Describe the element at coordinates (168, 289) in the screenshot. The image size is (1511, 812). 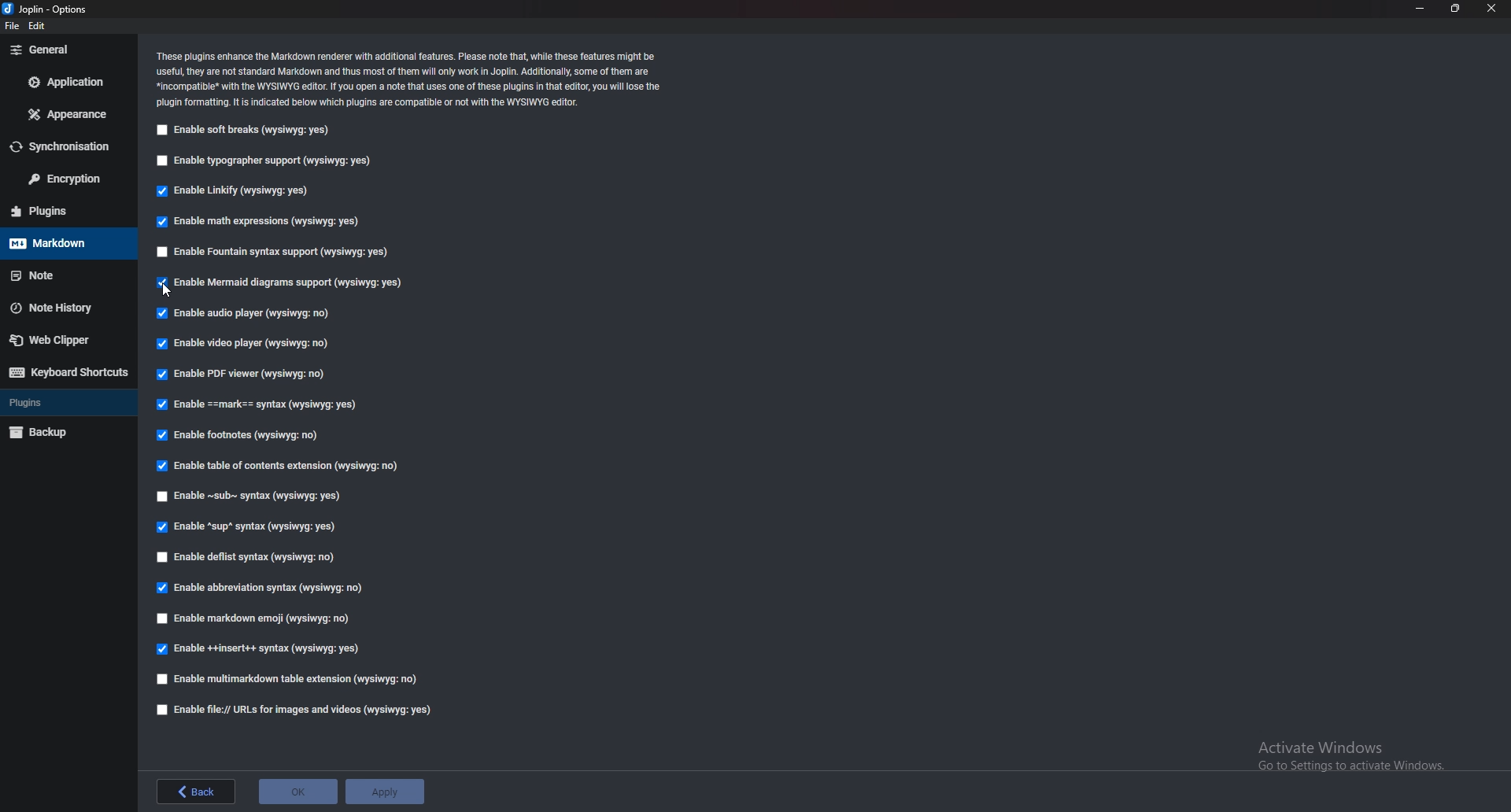
I see `cursor` at that location.